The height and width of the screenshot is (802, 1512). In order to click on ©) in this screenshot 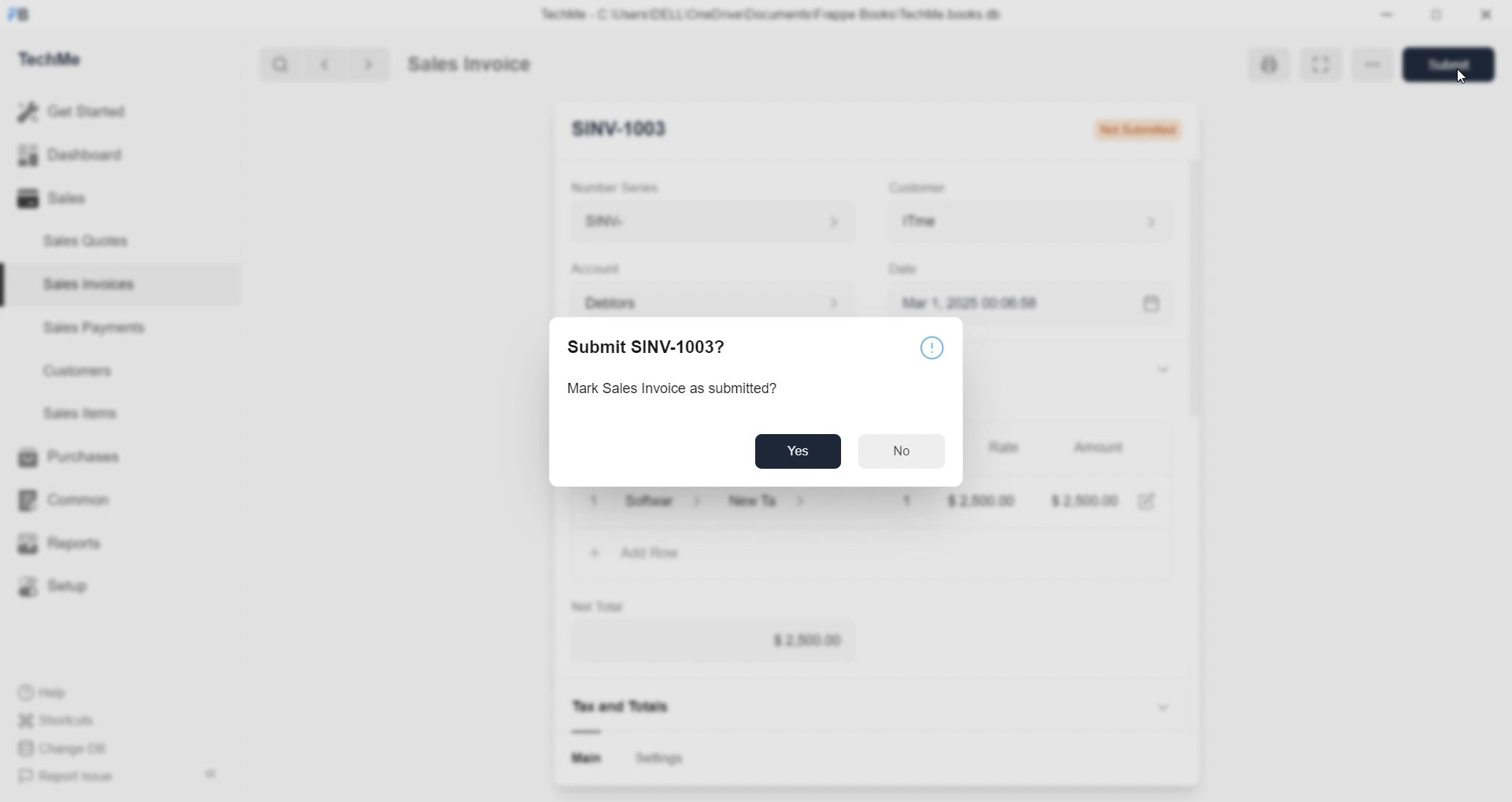, I will do `click(930, 344)`.